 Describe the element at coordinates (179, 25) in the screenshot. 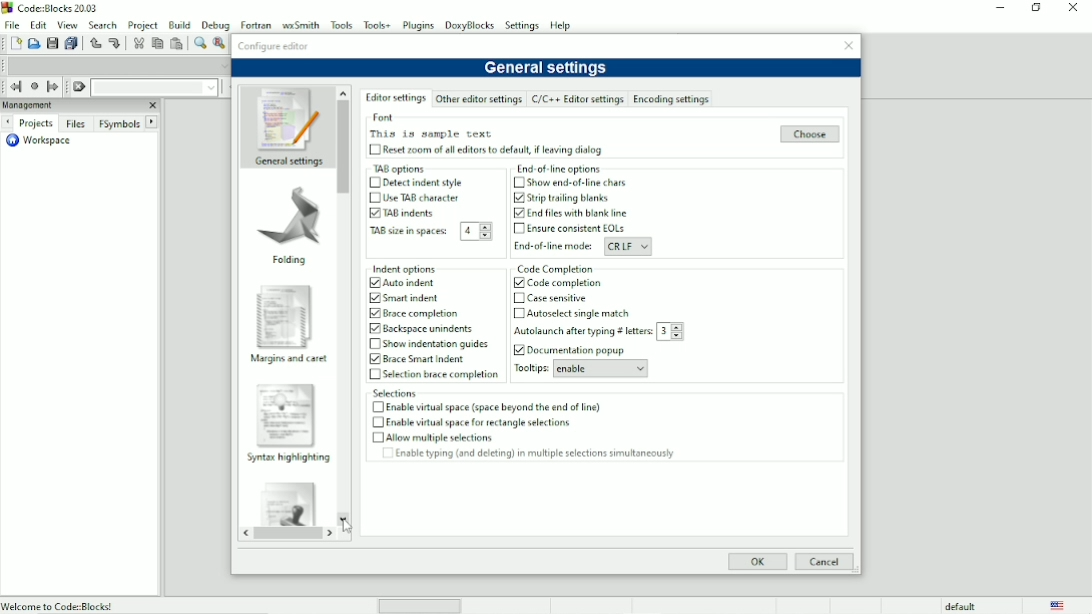

I see `Build` at that location.